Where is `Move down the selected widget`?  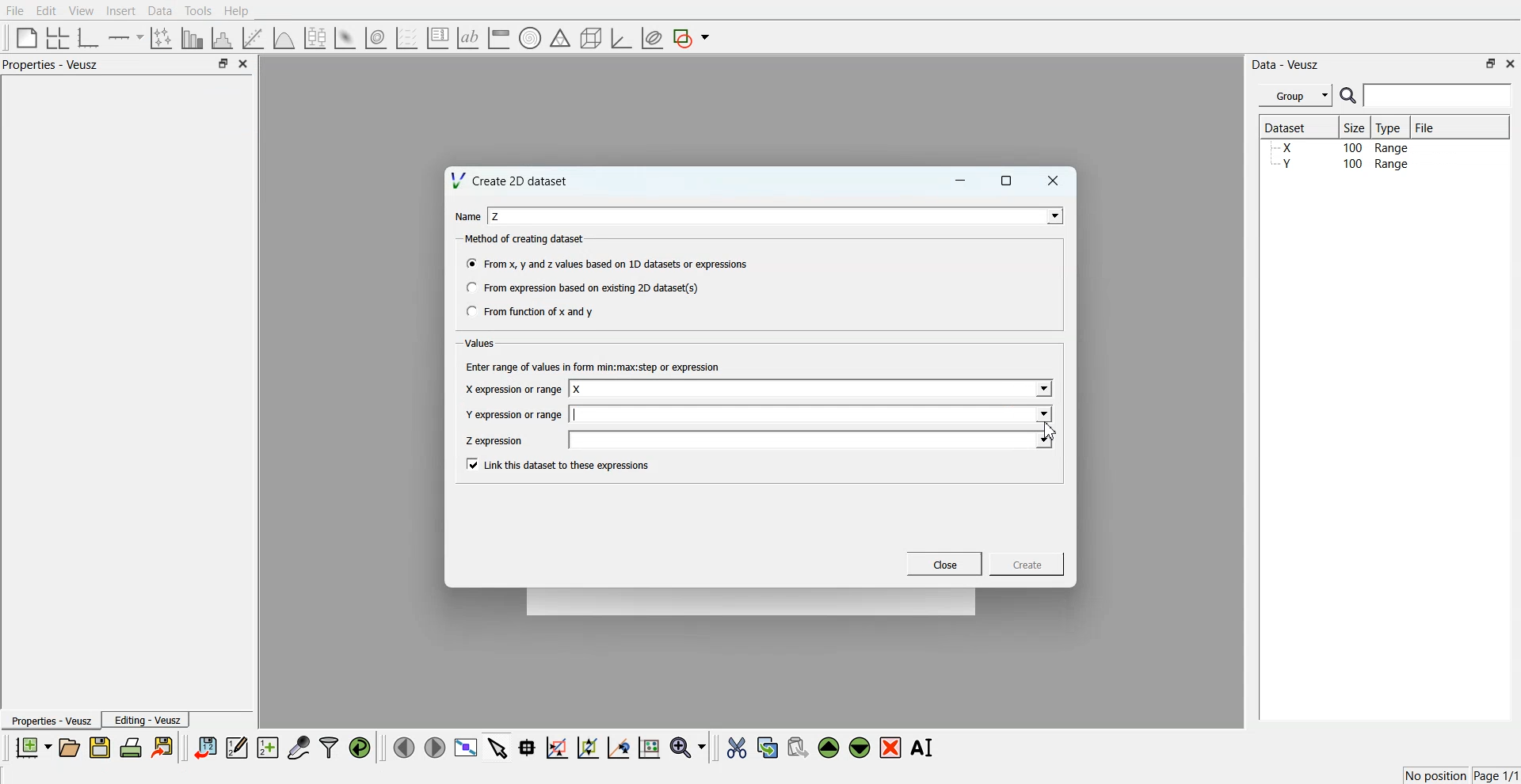
Move down the selected widget is located at coordinates (860, 748).